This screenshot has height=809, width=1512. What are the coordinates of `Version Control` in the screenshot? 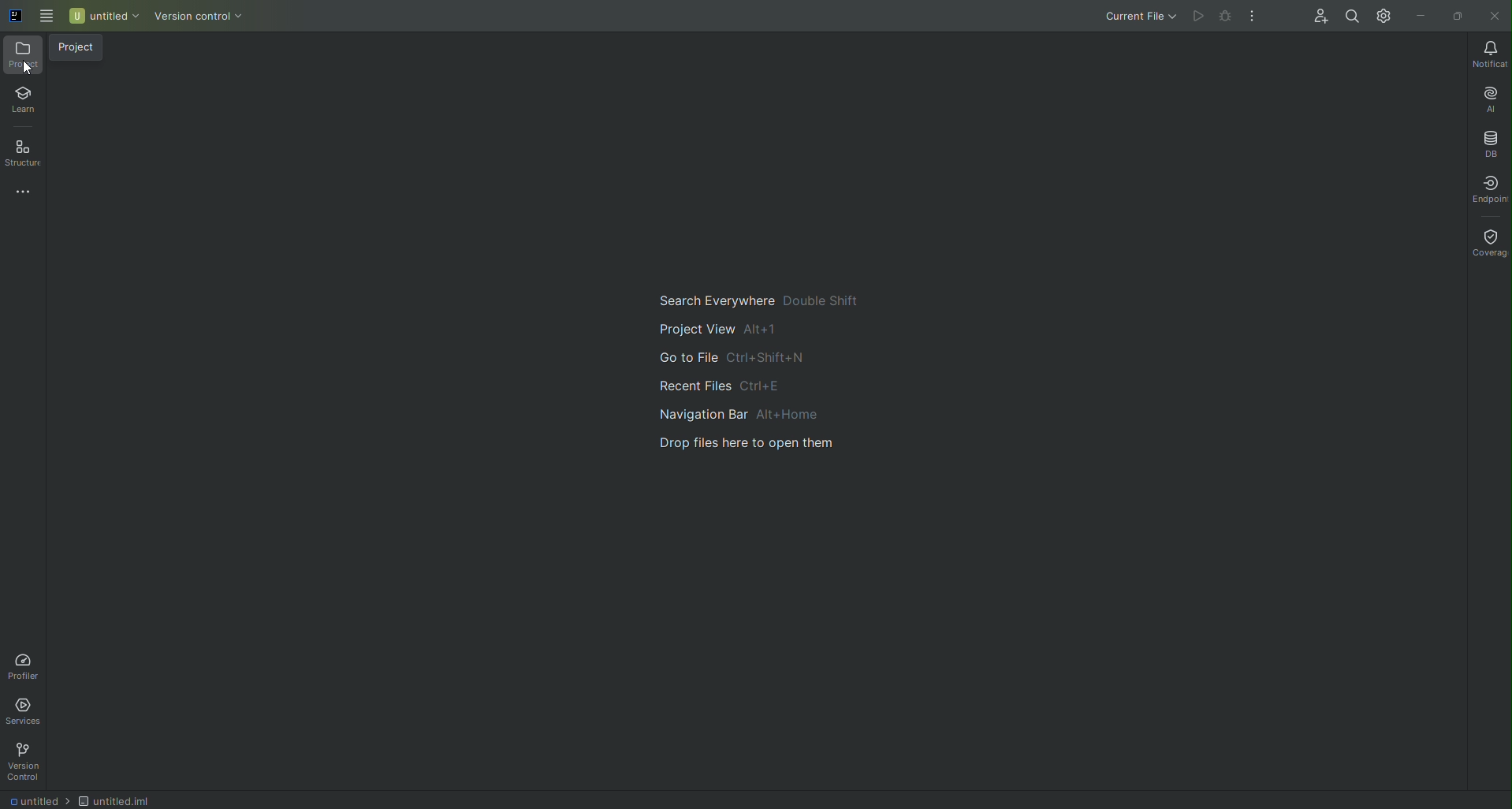 It's located at (29, 763).